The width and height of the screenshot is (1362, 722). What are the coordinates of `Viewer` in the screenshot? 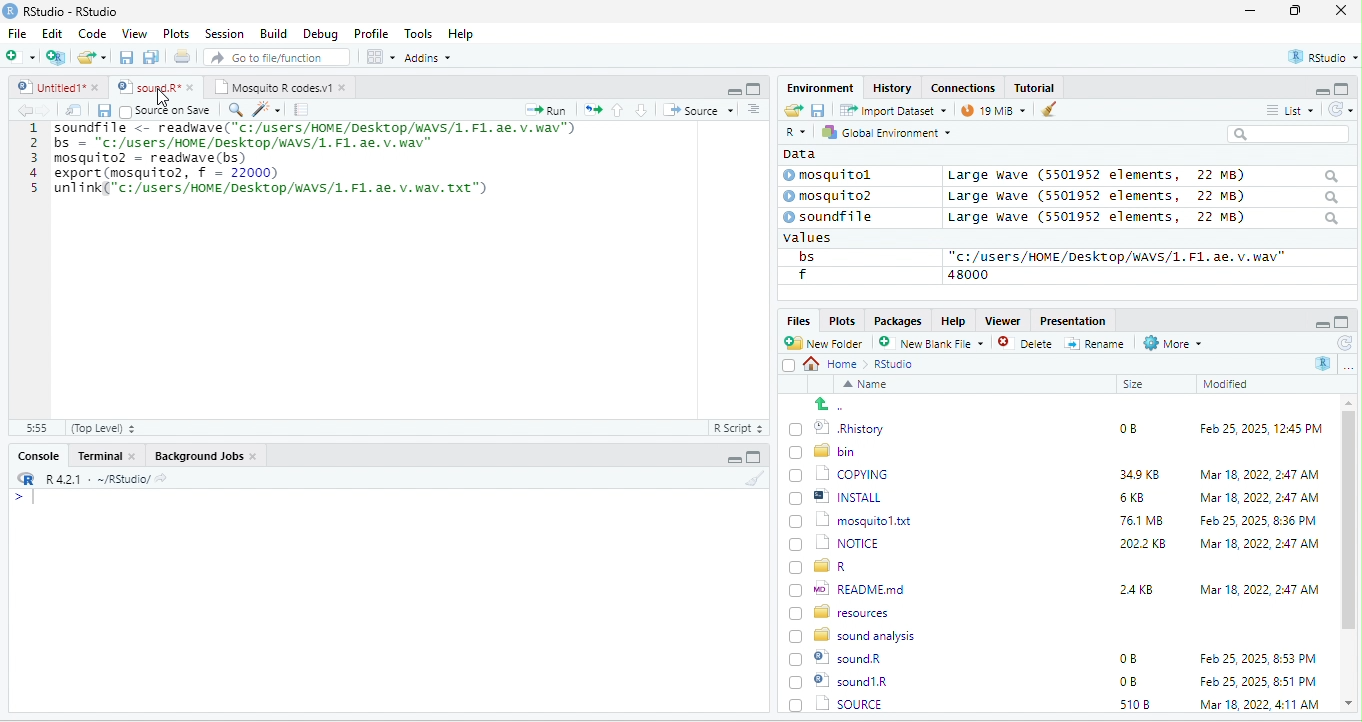 It's located at (1000, 321).